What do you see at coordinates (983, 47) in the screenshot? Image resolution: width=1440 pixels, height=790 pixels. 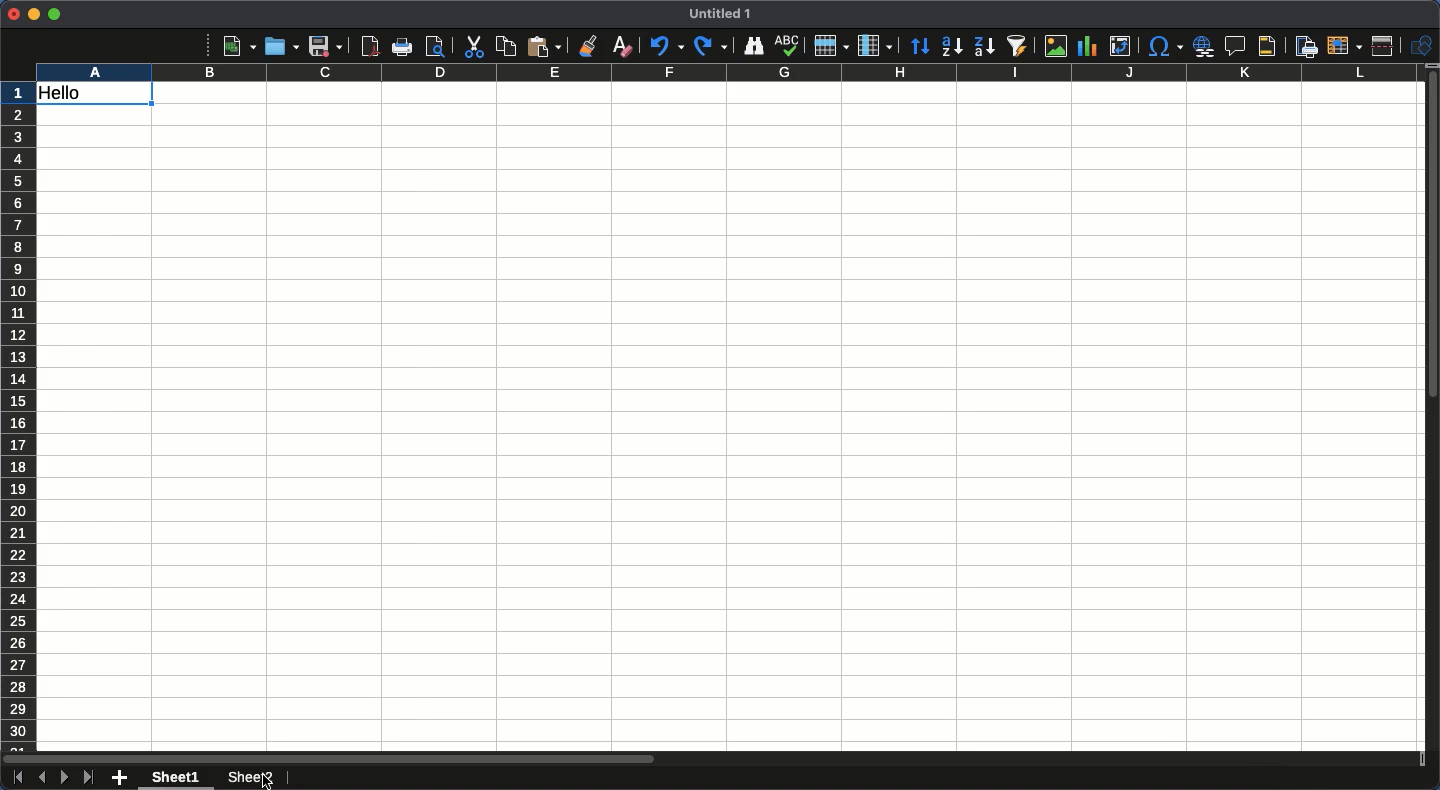 I see `Descending` at bounding box center [983, 47].